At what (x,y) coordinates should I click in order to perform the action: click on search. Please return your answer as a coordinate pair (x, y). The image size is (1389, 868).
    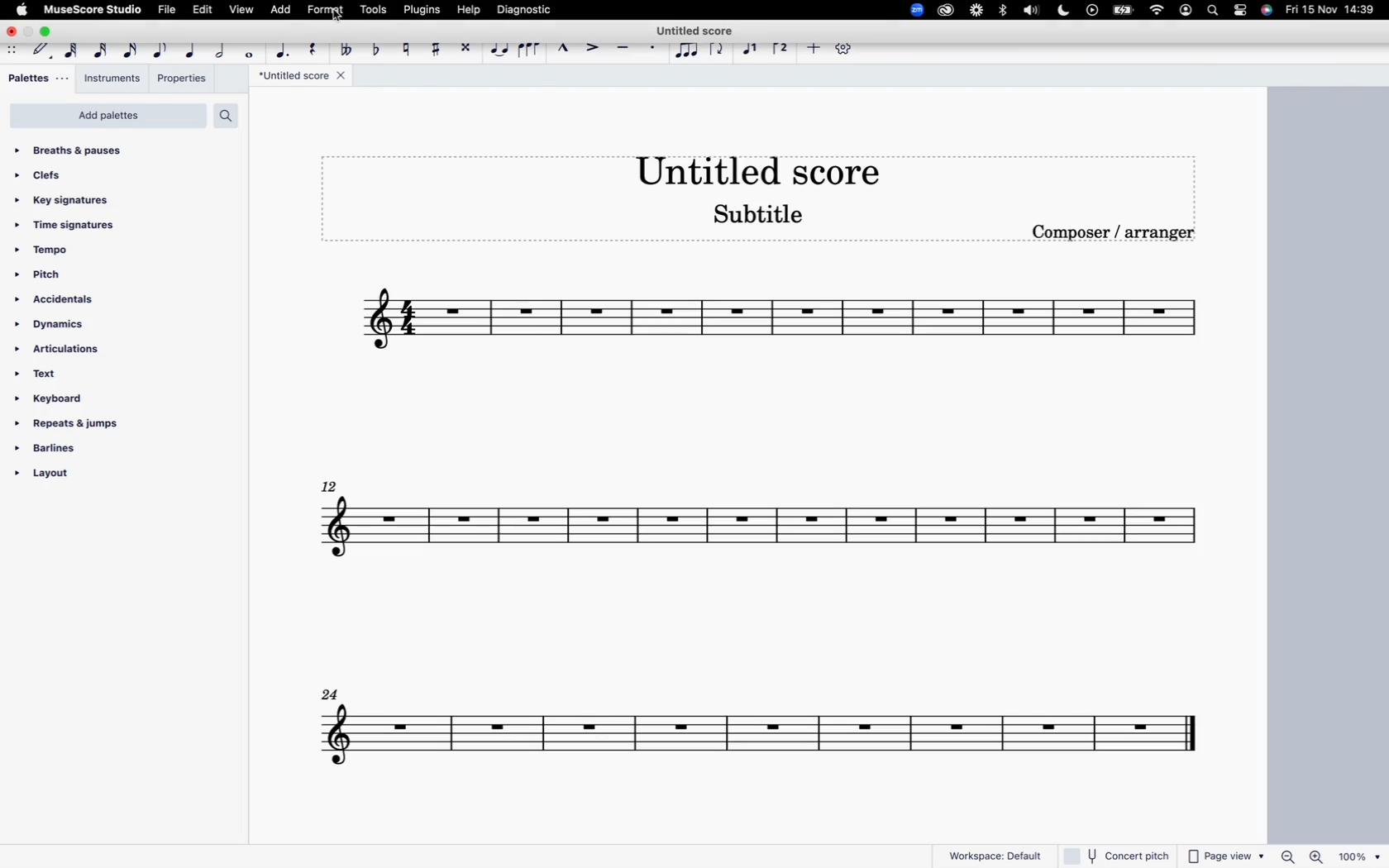
    Looking at the image, I should click on (231, 116).